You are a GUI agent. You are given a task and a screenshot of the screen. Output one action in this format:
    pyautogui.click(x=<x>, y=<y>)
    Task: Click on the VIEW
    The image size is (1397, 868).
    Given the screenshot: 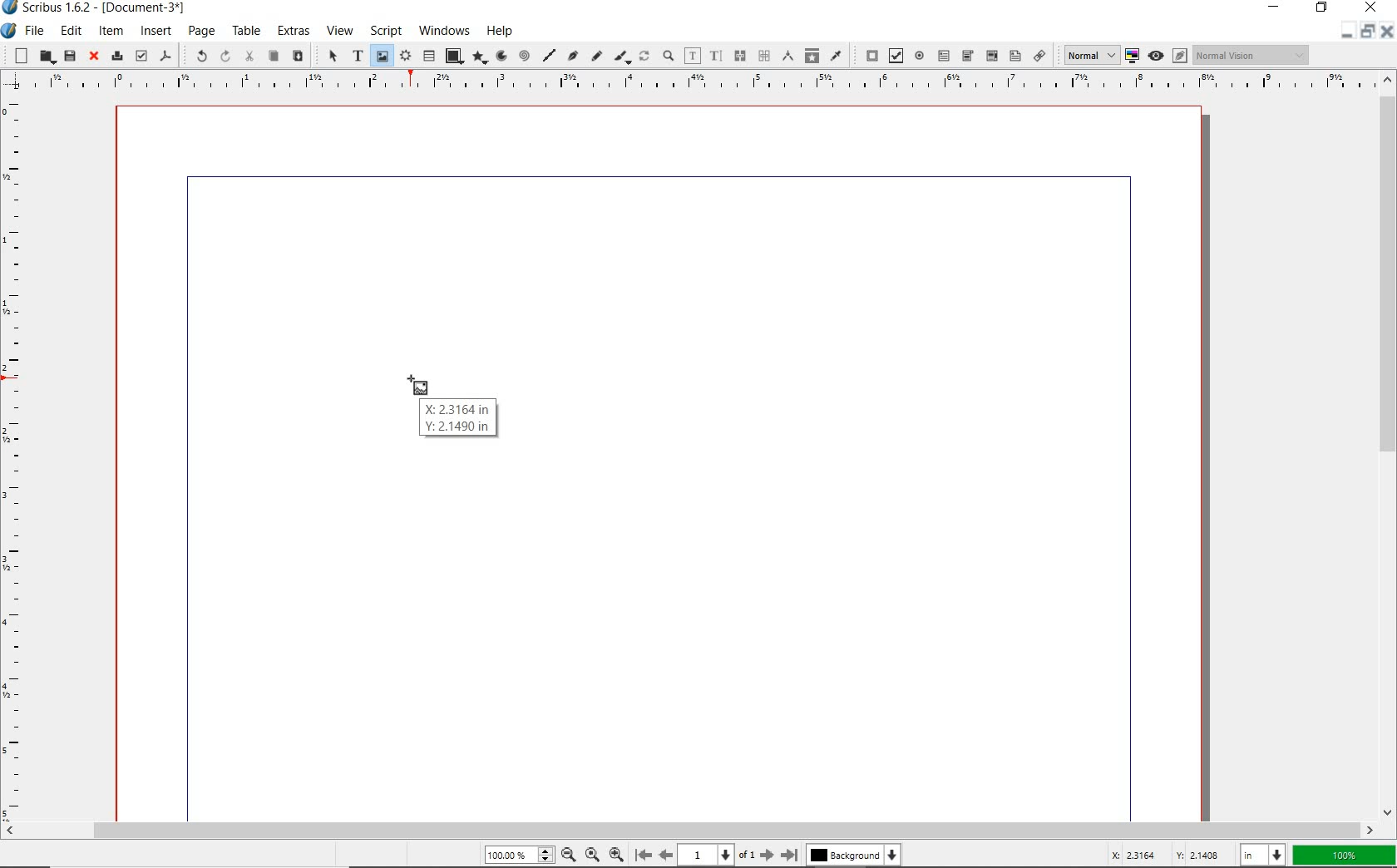 What is the action you would take?
    pyautogui.click(x=341, y=29)
    